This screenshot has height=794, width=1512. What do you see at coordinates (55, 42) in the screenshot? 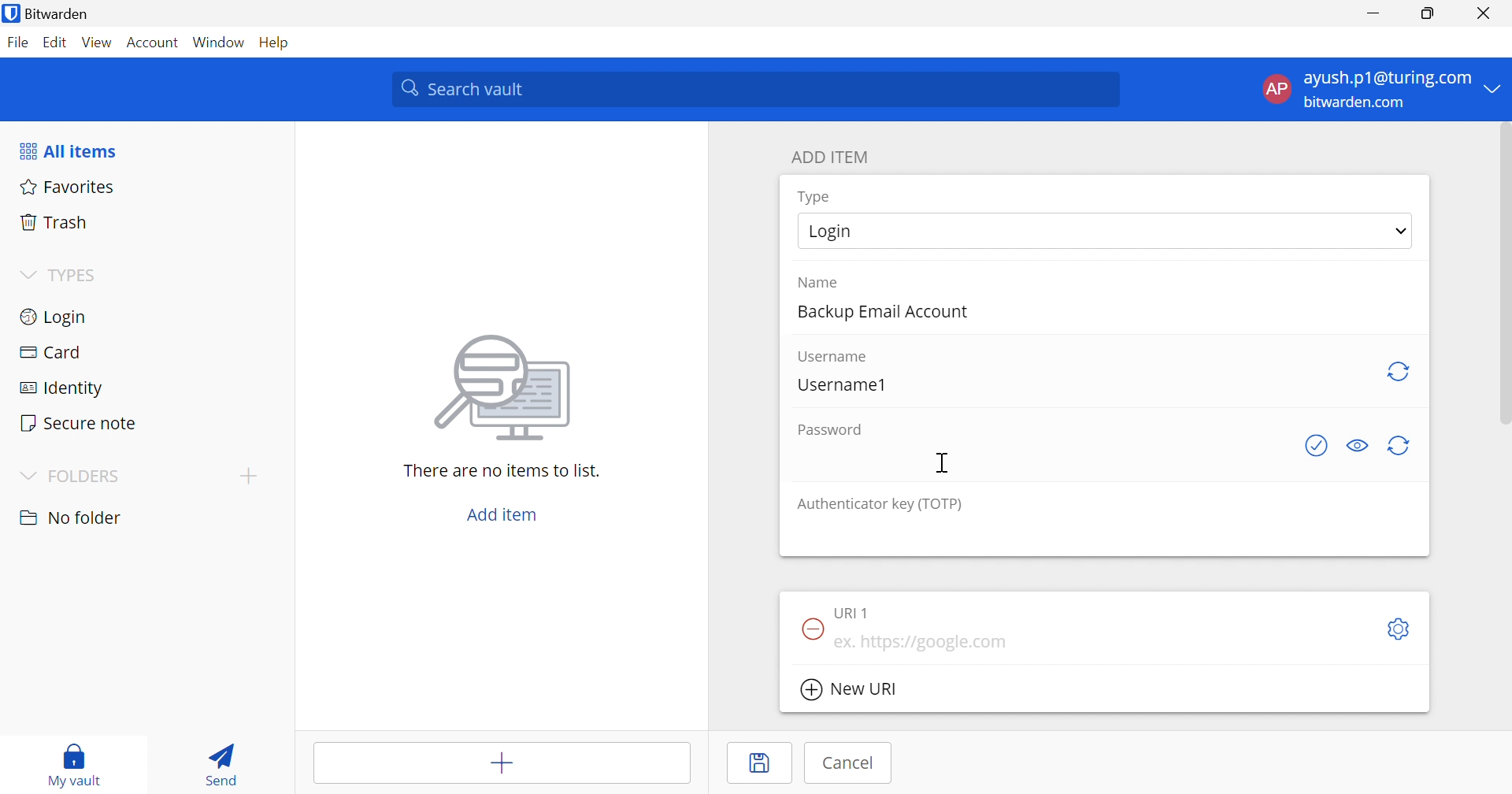
I see `Edit` at bounding box center [55, 42].